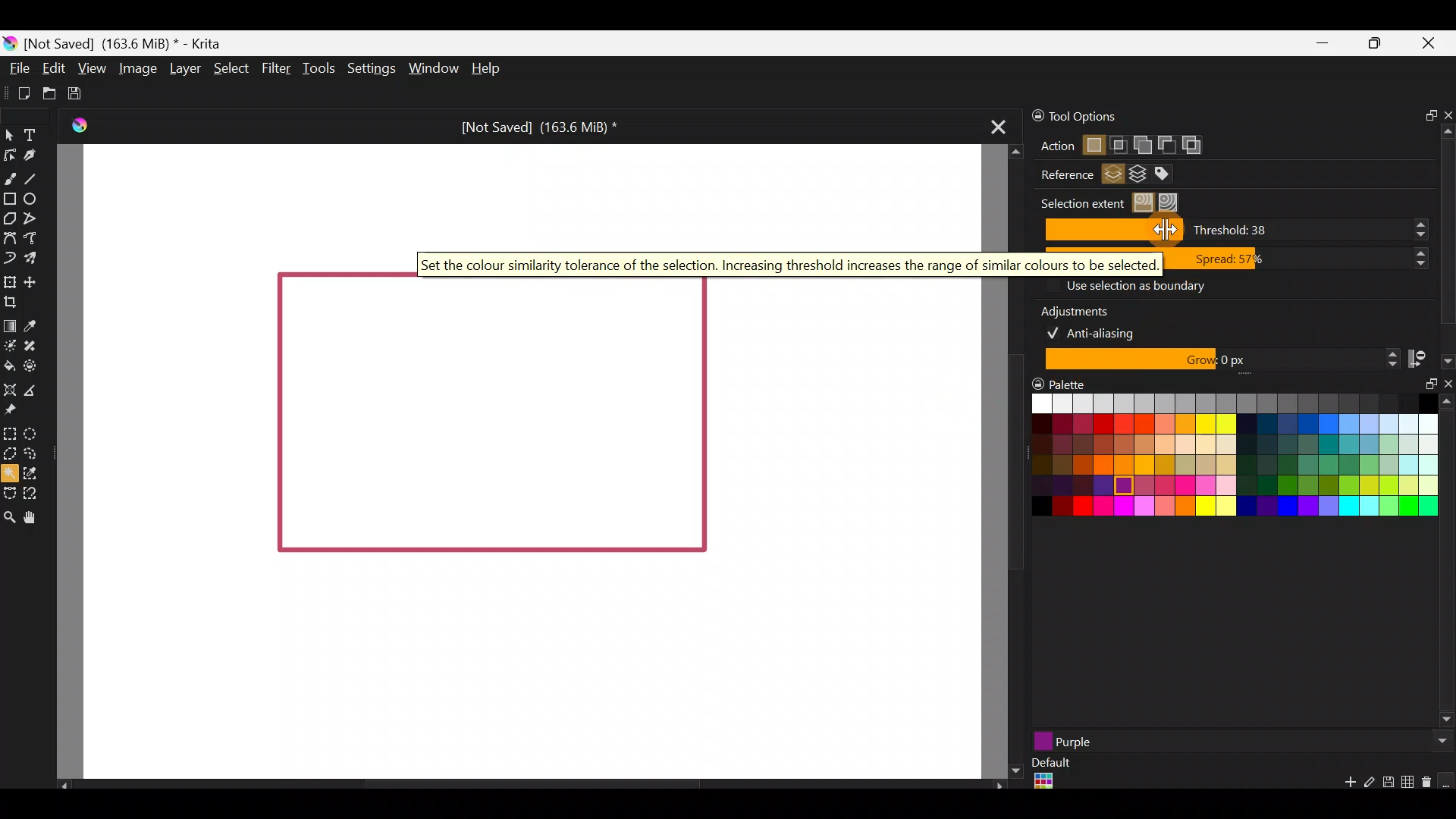 This screenshot has height=819, width=1456. I want to click on Krita Logo, so click(80, 124).